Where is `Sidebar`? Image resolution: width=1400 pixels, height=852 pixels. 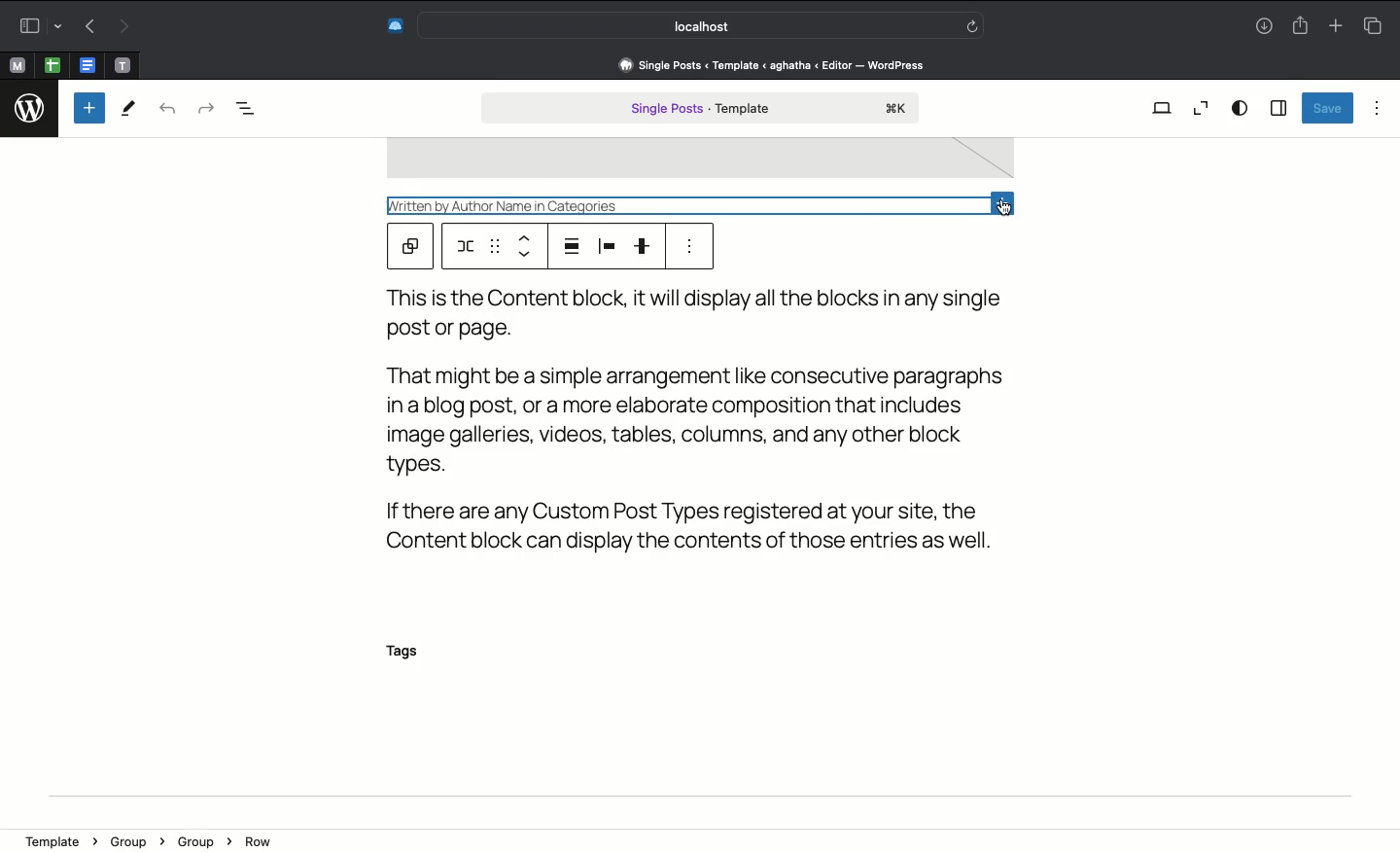 Sidebar is located at coordinates (1277, 109).